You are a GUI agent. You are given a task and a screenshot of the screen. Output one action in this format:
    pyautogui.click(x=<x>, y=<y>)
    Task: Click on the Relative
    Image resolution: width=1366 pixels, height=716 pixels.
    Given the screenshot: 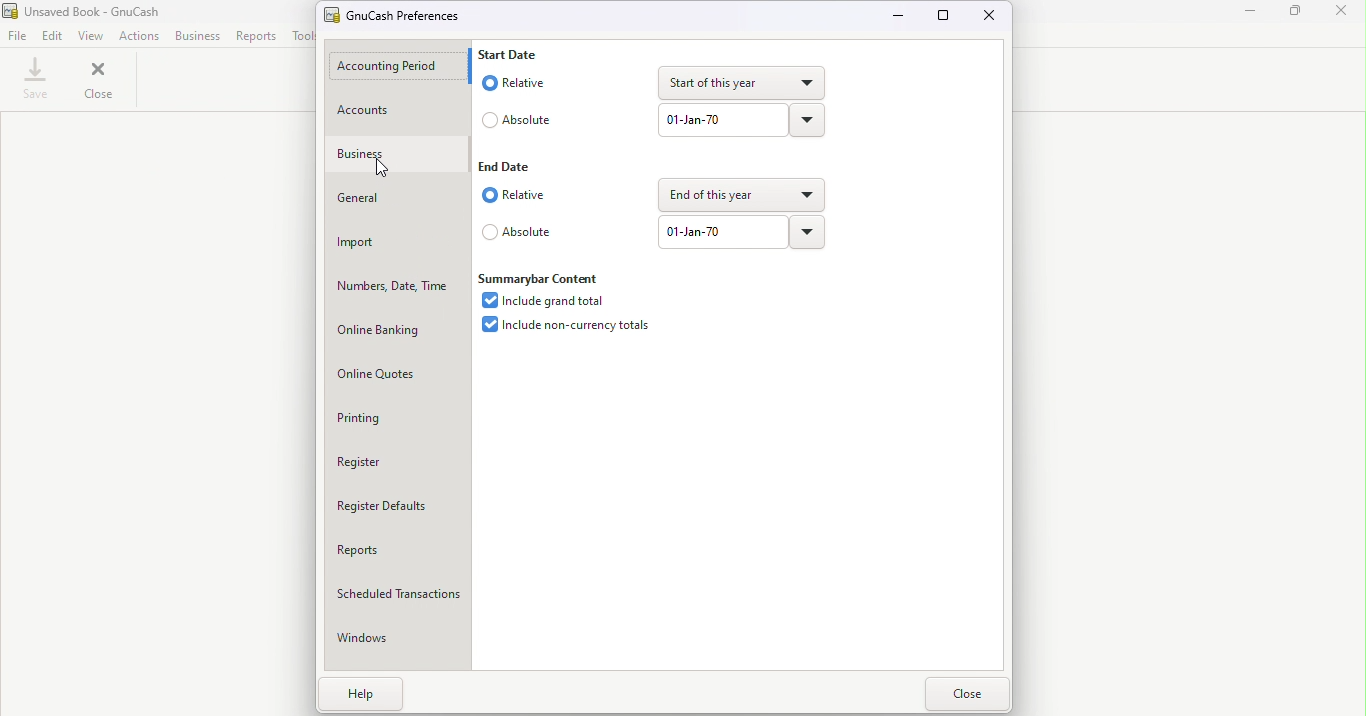 What is the action you would take?
    pyautogui.click(x=512, y=197)
    